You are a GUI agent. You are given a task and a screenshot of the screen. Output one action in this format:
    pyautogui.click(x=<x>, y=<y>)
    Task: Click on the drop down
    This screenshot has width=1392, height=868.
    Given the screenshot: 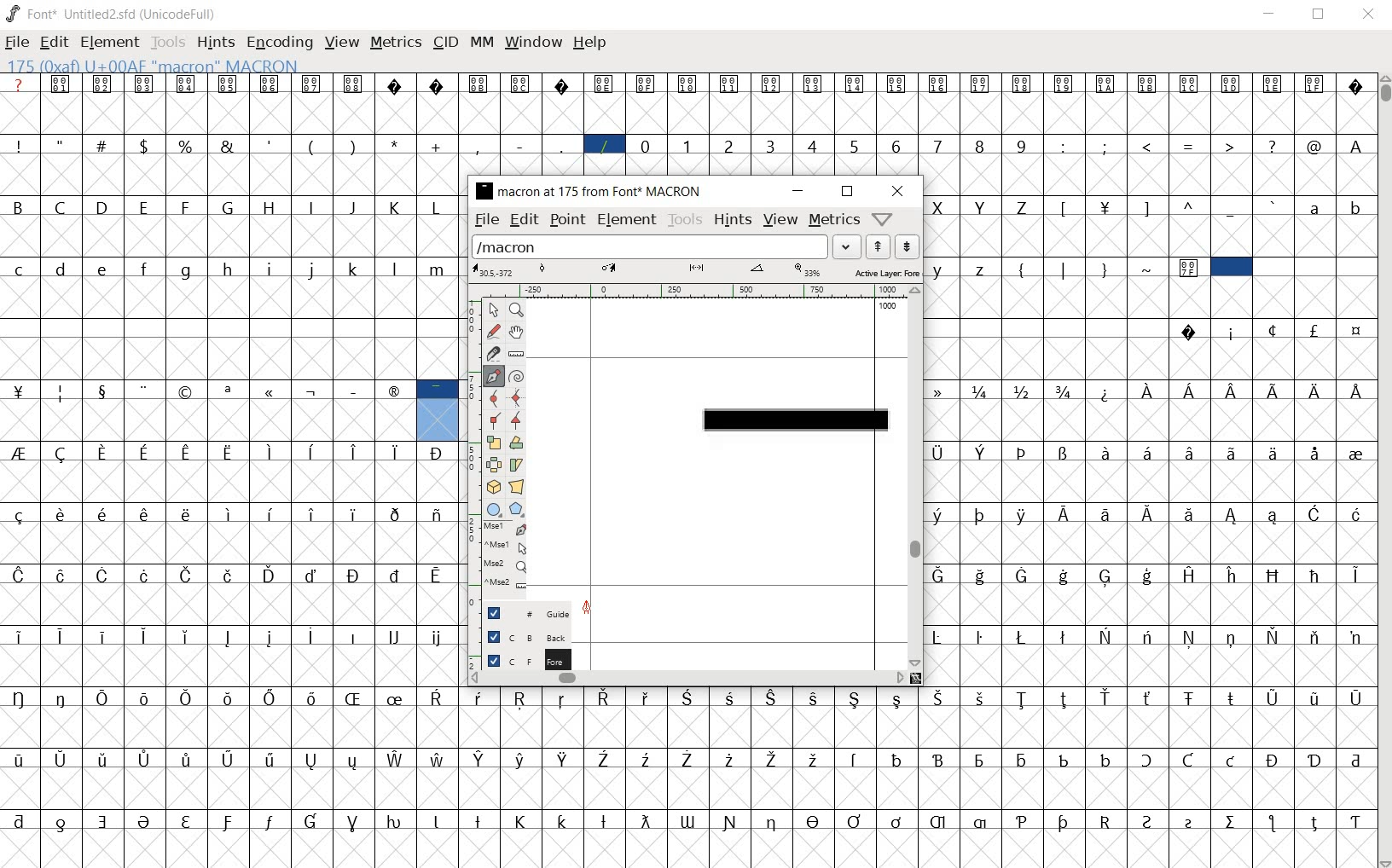 What is the action you would take?
    pyautogui.click(x=846, y=245)
    